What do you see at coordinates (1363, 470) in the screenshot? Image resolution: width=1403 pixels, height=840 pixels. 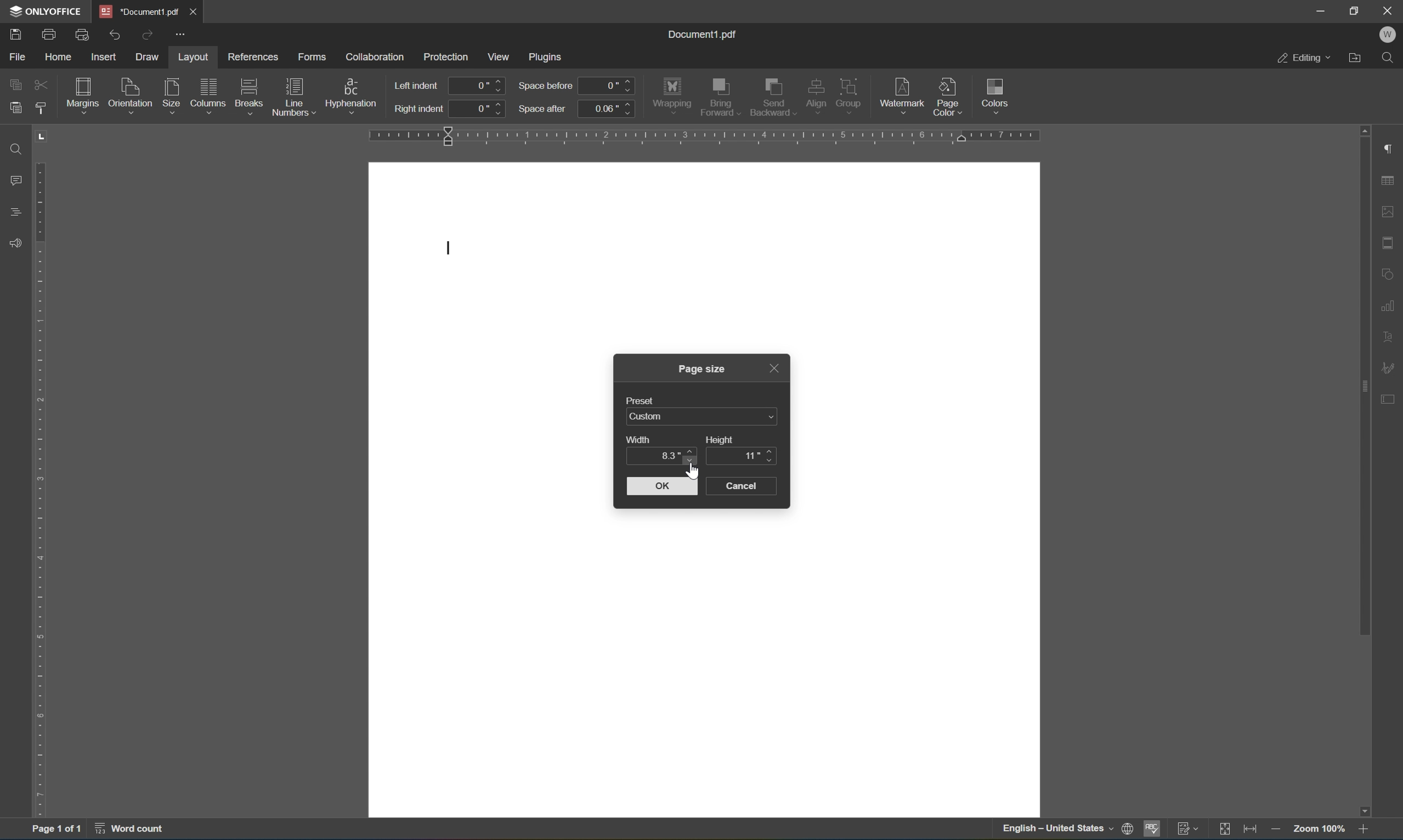 I see `scroll bar` at bounding box center [1363, 470].